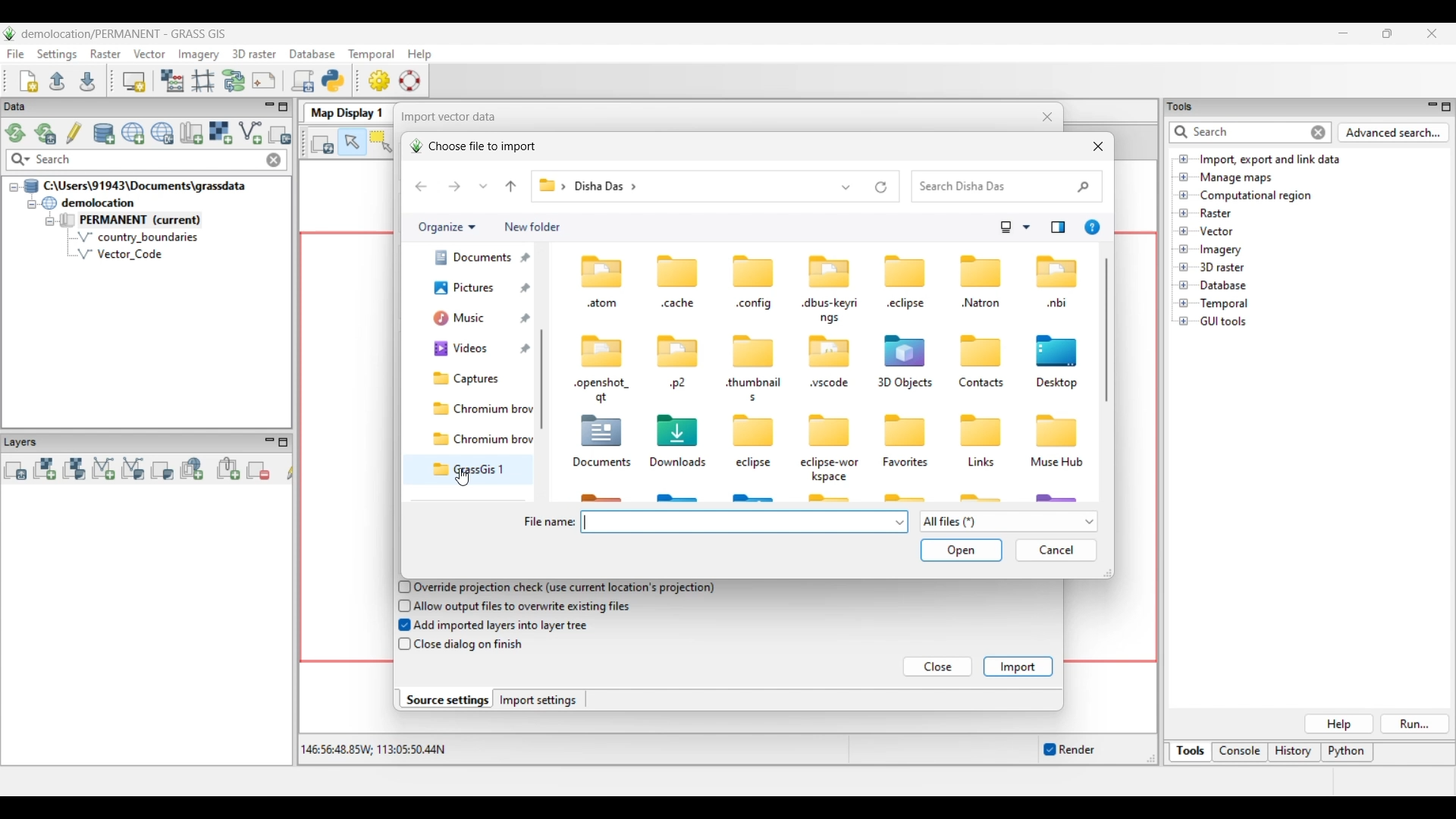  Describe the element at coordinates (678, 384) in the screenshot. I see `p2` at that location.